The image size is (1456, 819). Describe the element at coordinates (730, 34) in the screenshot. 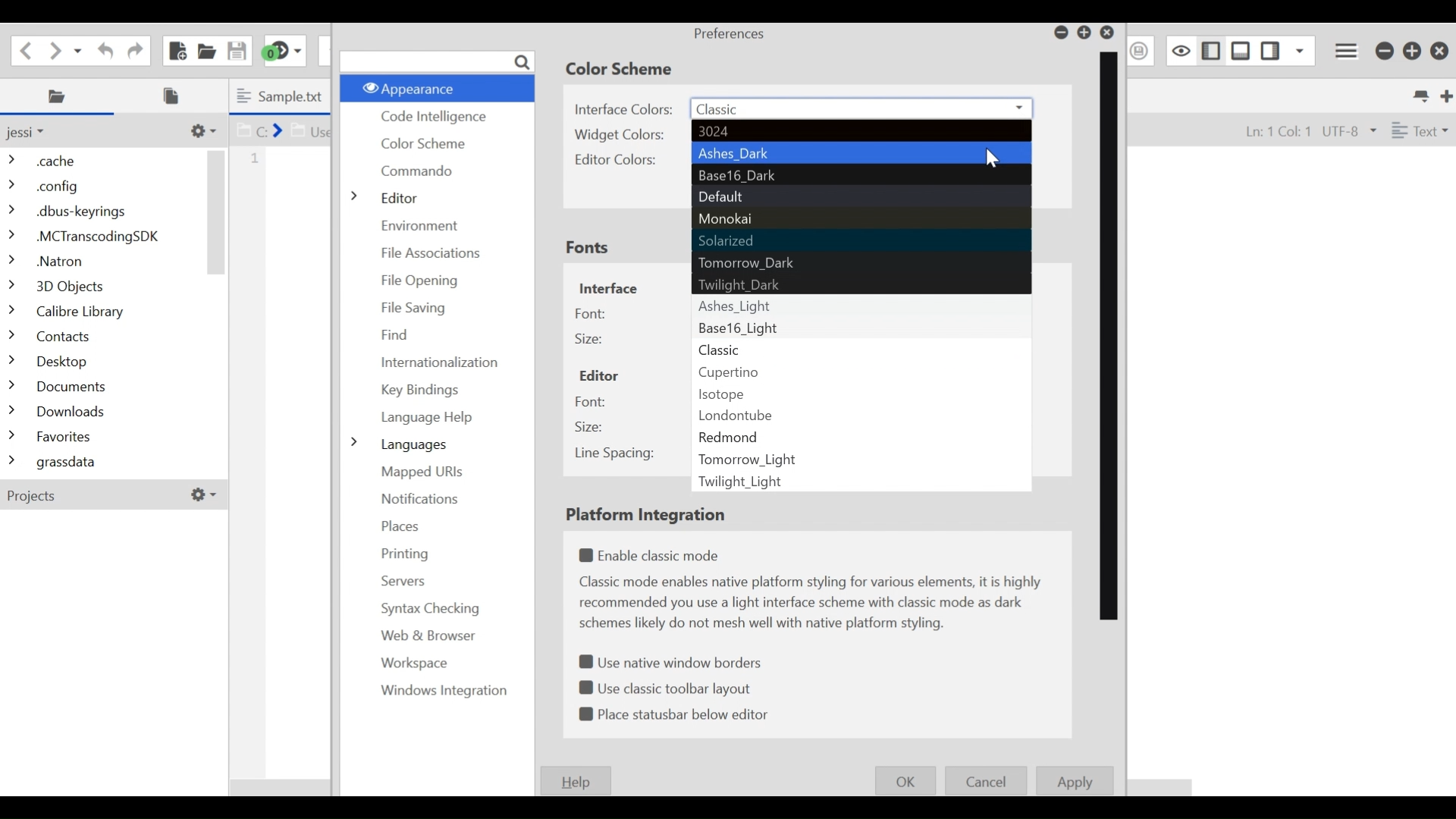

I see `Preferences` at that location.